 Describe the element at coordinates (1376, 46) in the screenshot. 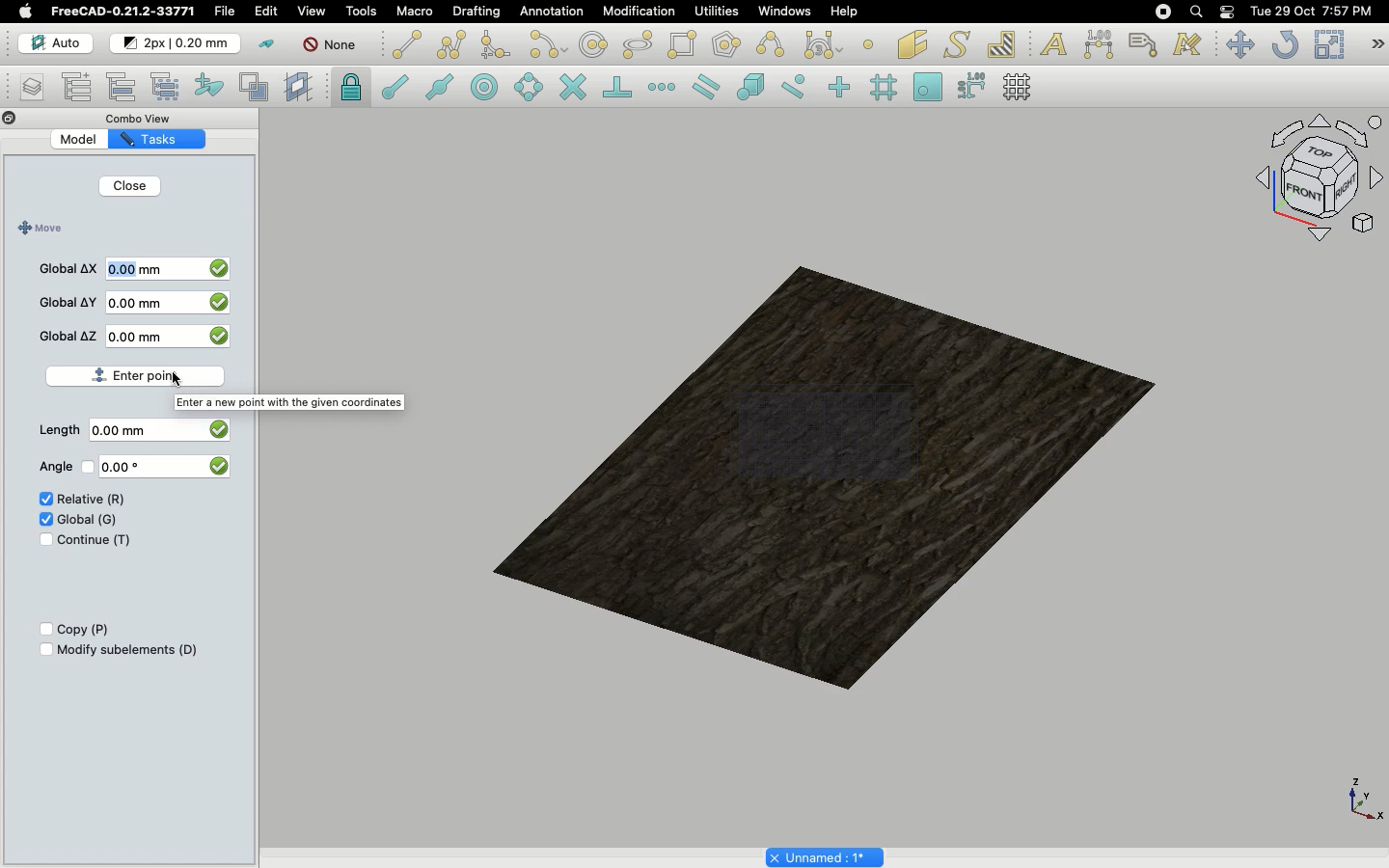

I see `Draft modification tools` at that location.